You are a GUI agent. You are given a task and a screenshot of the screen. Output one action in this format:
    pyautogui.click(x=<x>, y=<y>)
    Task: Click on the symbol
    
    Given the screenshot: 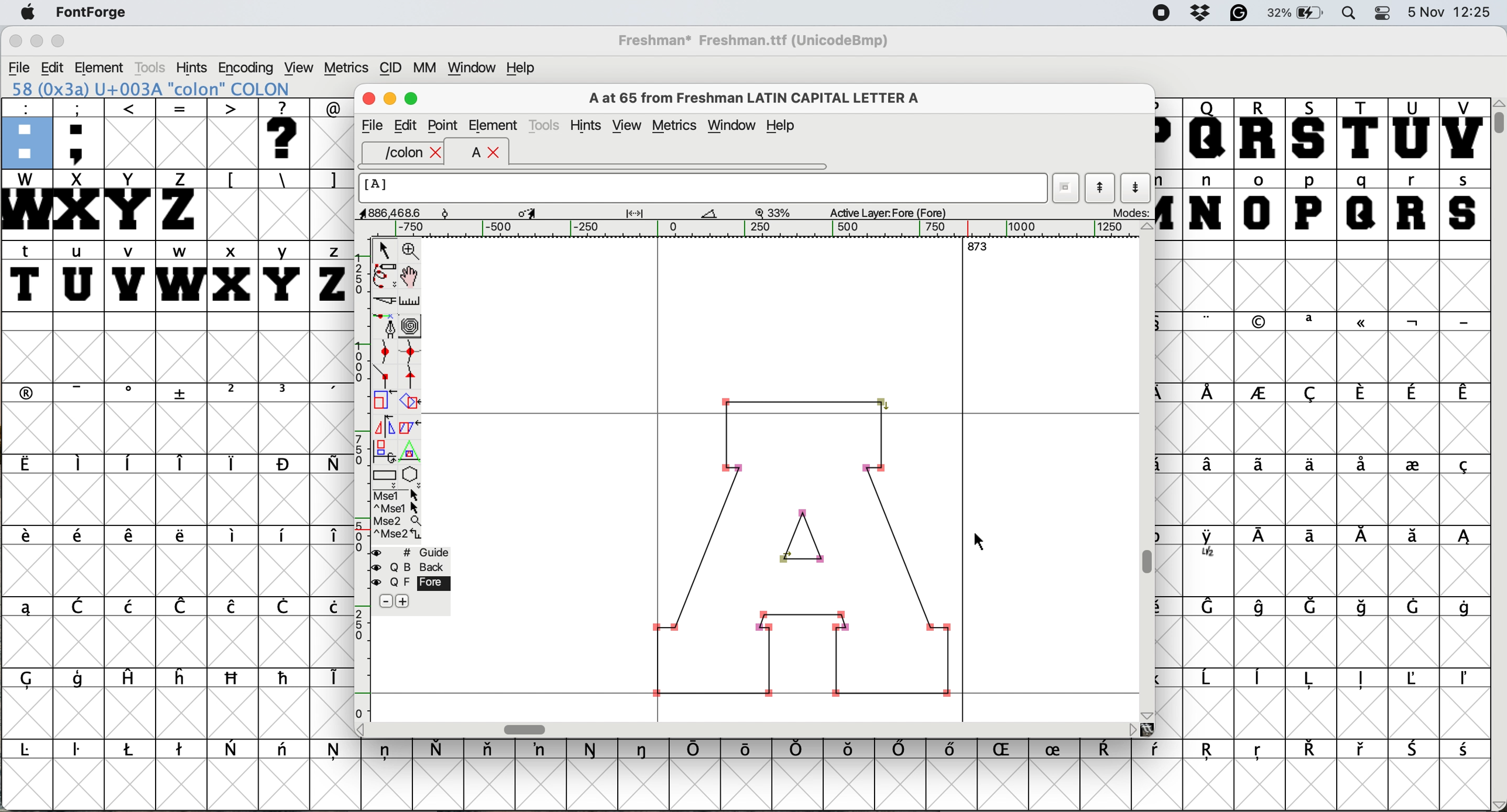 What is the action you would take?
    pyautogui.click(x=1315, y=537)
    